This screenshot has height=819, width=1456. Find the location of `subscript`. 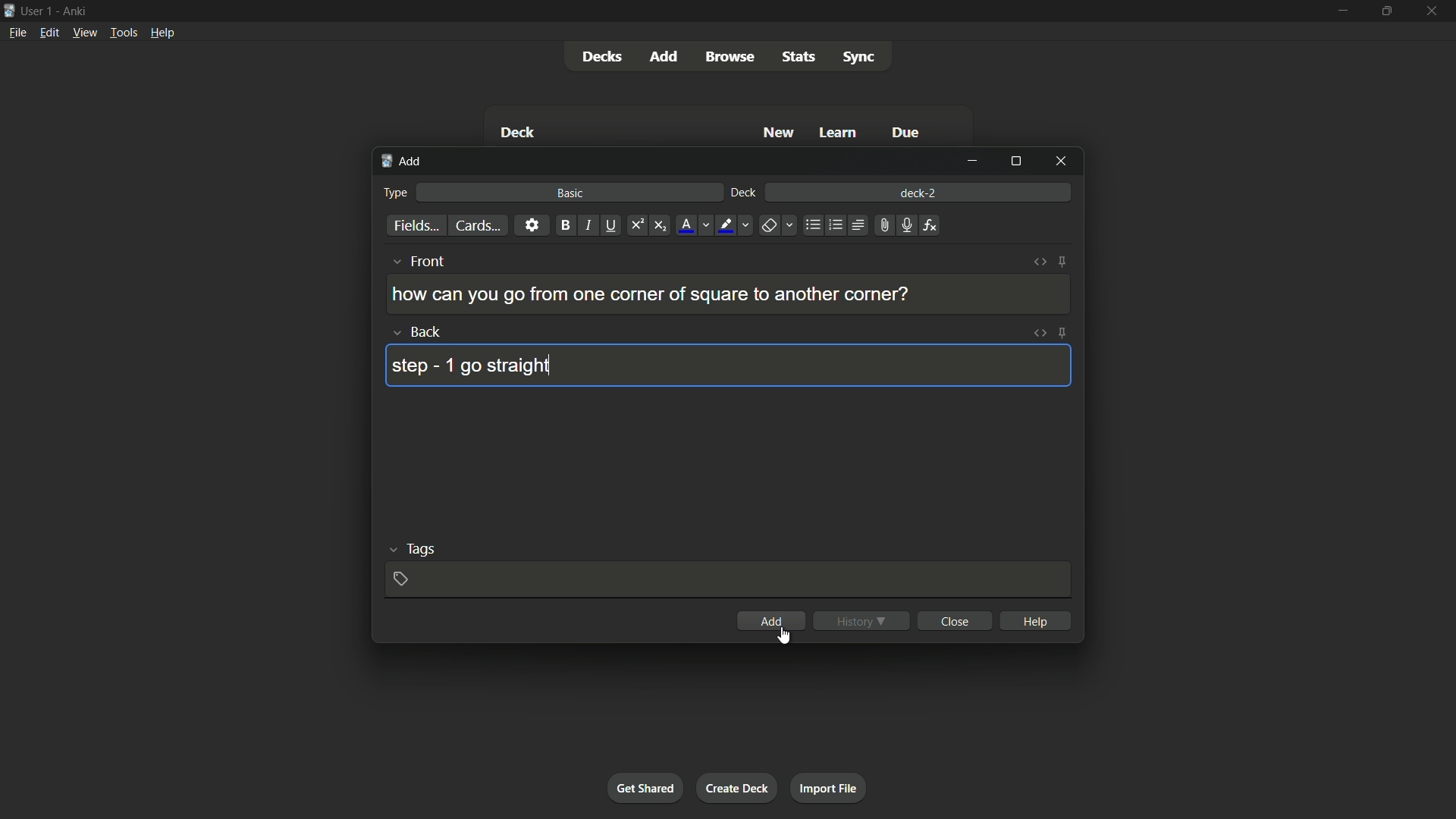

subscript is located at coordinates (658, 227).